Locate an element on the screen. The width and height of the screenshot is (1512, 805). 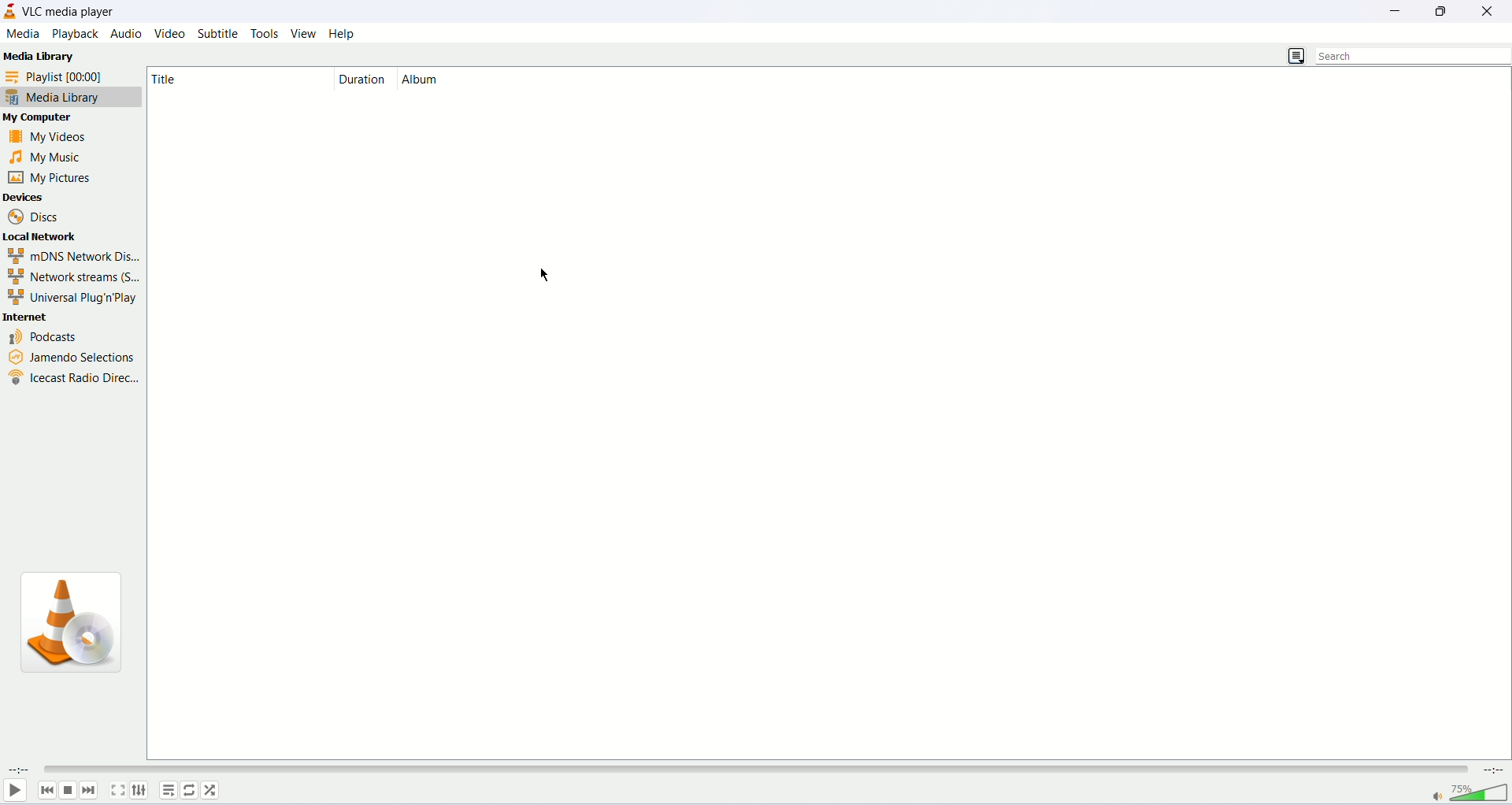
cursor is located at coordinates (540, 276).